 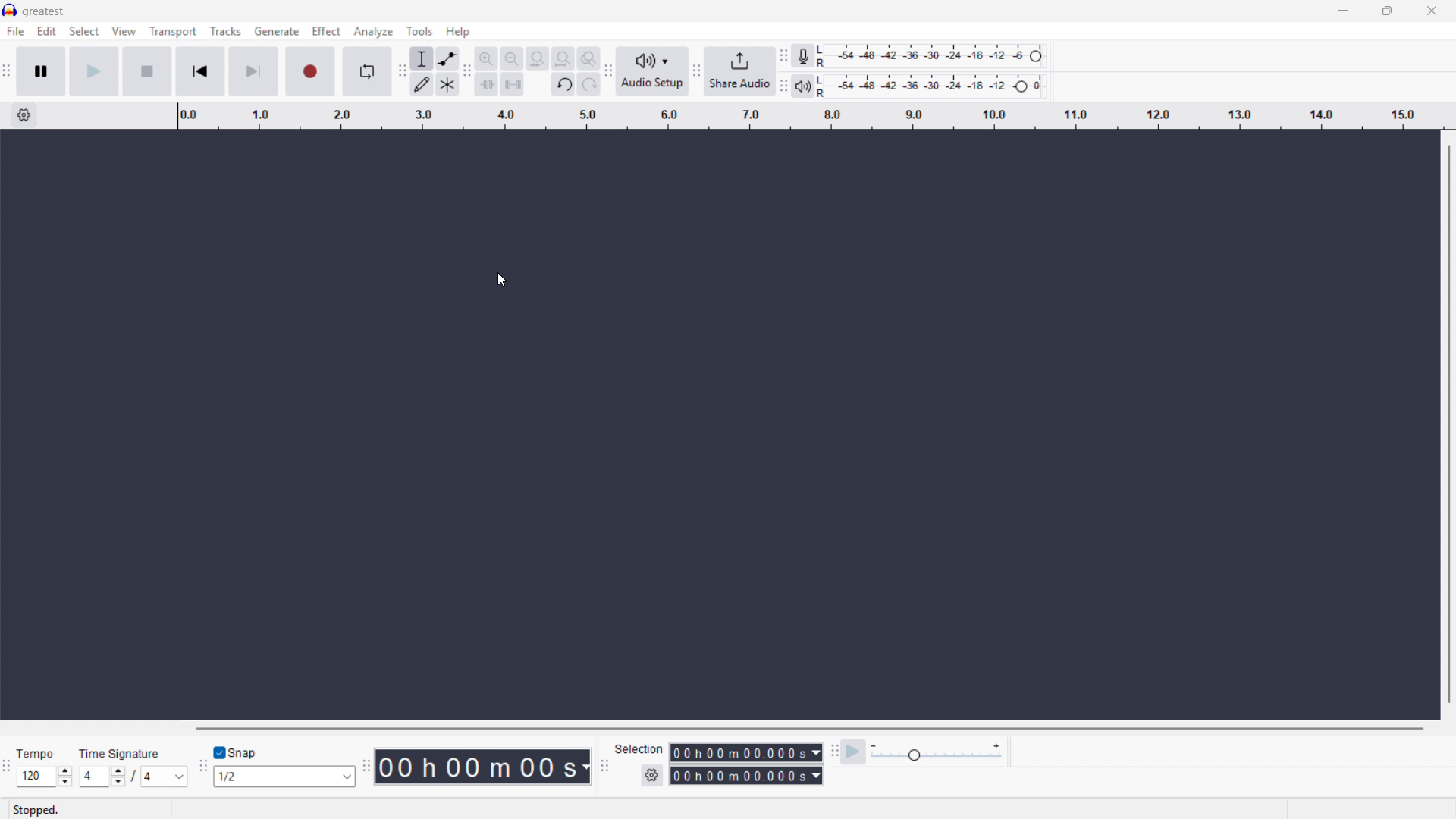 I want to click on trim audio outside selection, so click(x=487, y=84).